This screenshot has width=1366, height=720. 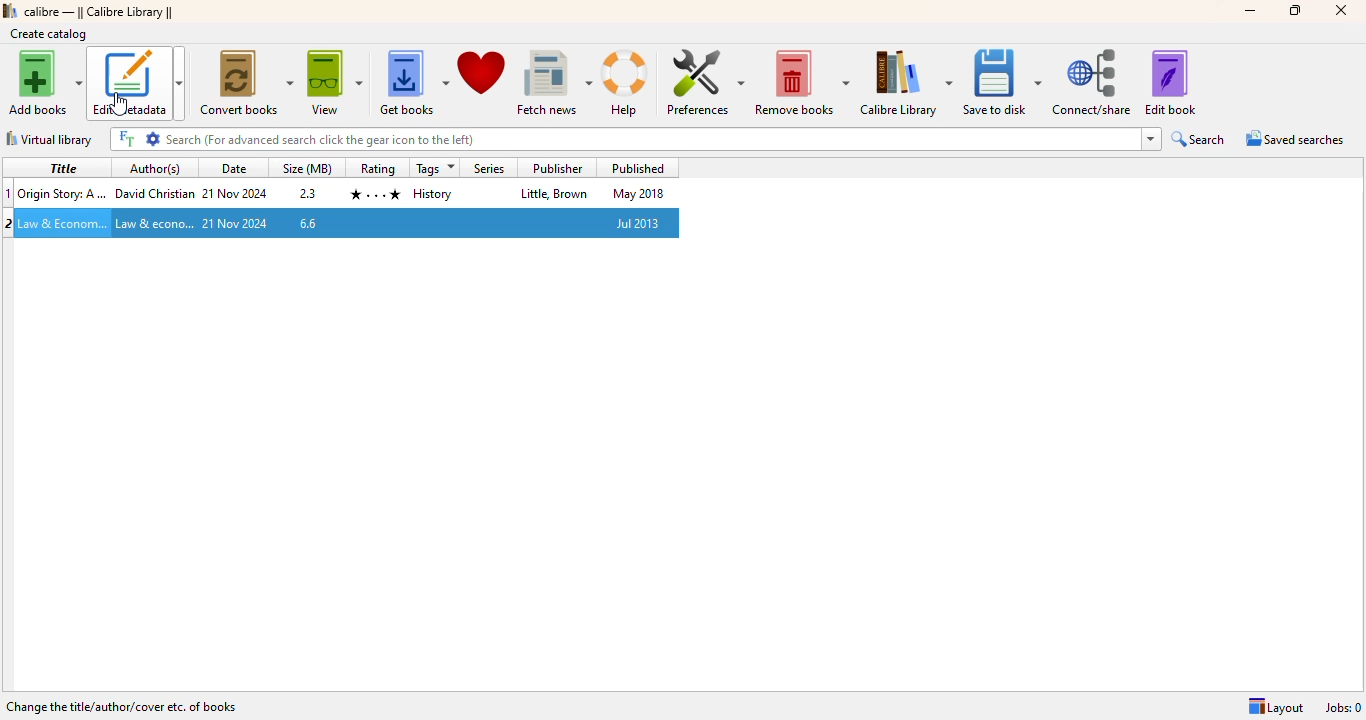 What do you see at coordinates (1094, 82) in the screenshot?
I see `connect/share` at bounding box center [1094, 82].